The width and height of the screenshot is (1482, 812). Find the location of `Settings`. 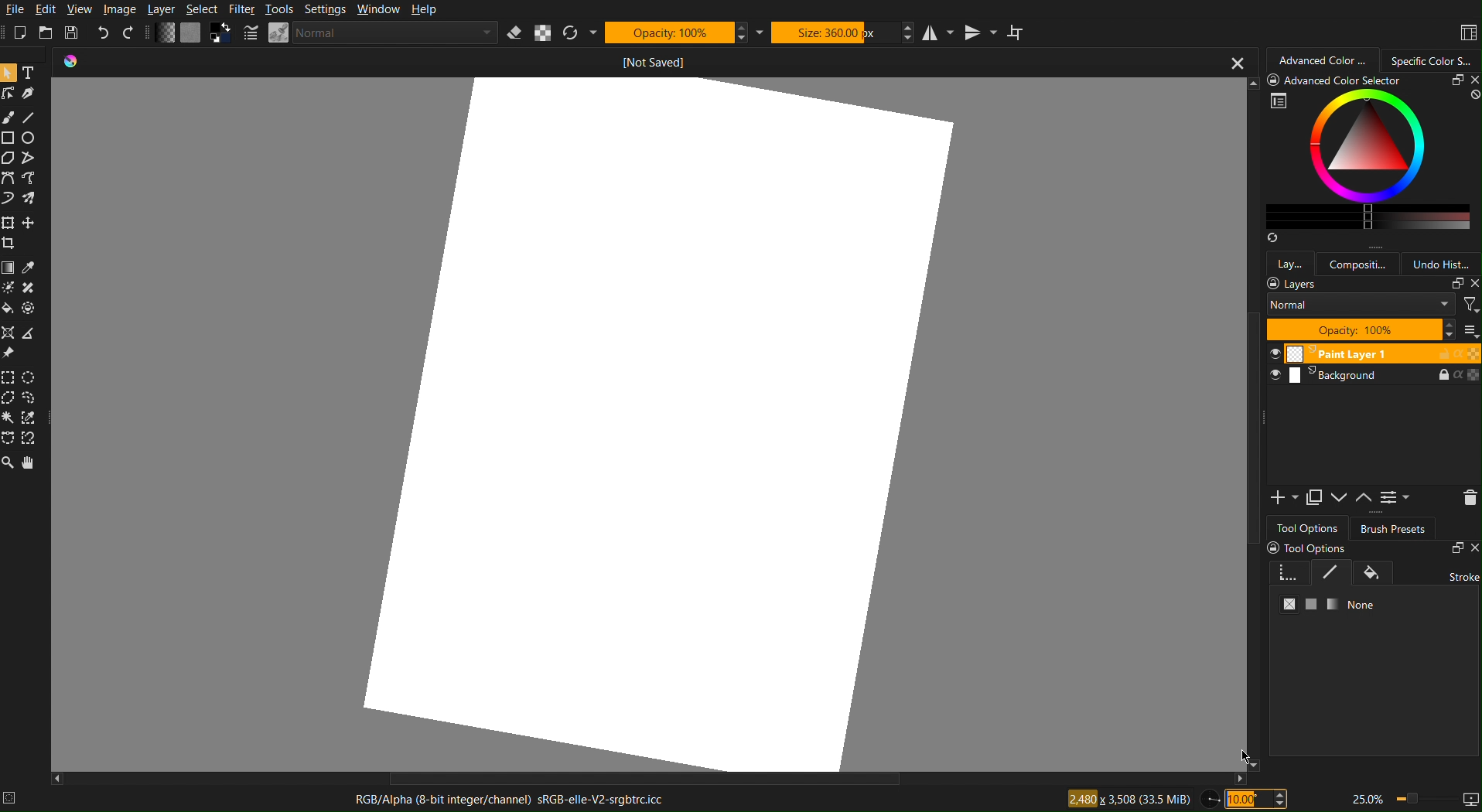

Settings is located at coordinates (1395, 499).